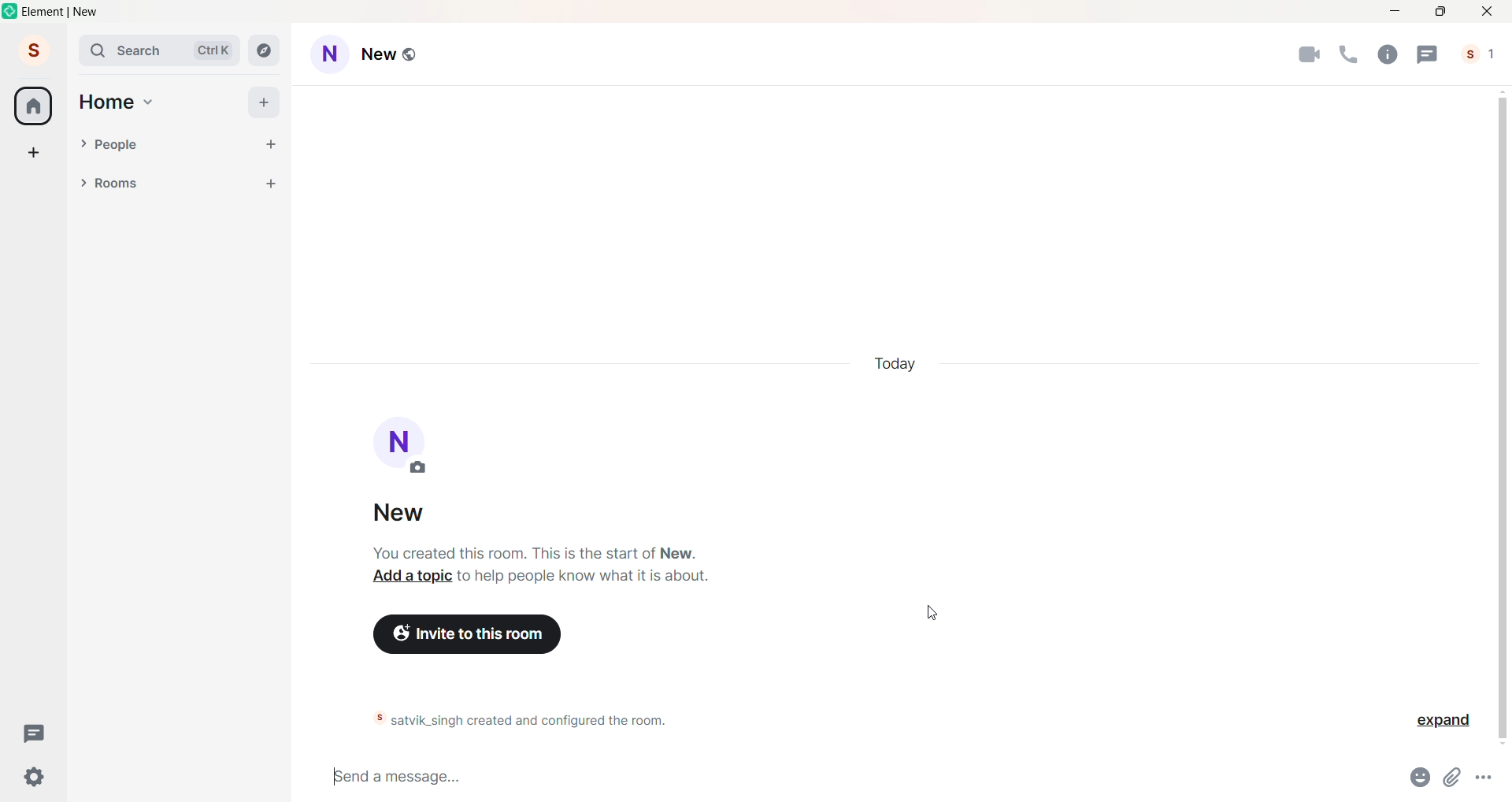 Image resolution: width=1512 pixels, height=802 pixels. Describe the element at coordinates (34, 50) in the screenshot. I see `Account` at that location.